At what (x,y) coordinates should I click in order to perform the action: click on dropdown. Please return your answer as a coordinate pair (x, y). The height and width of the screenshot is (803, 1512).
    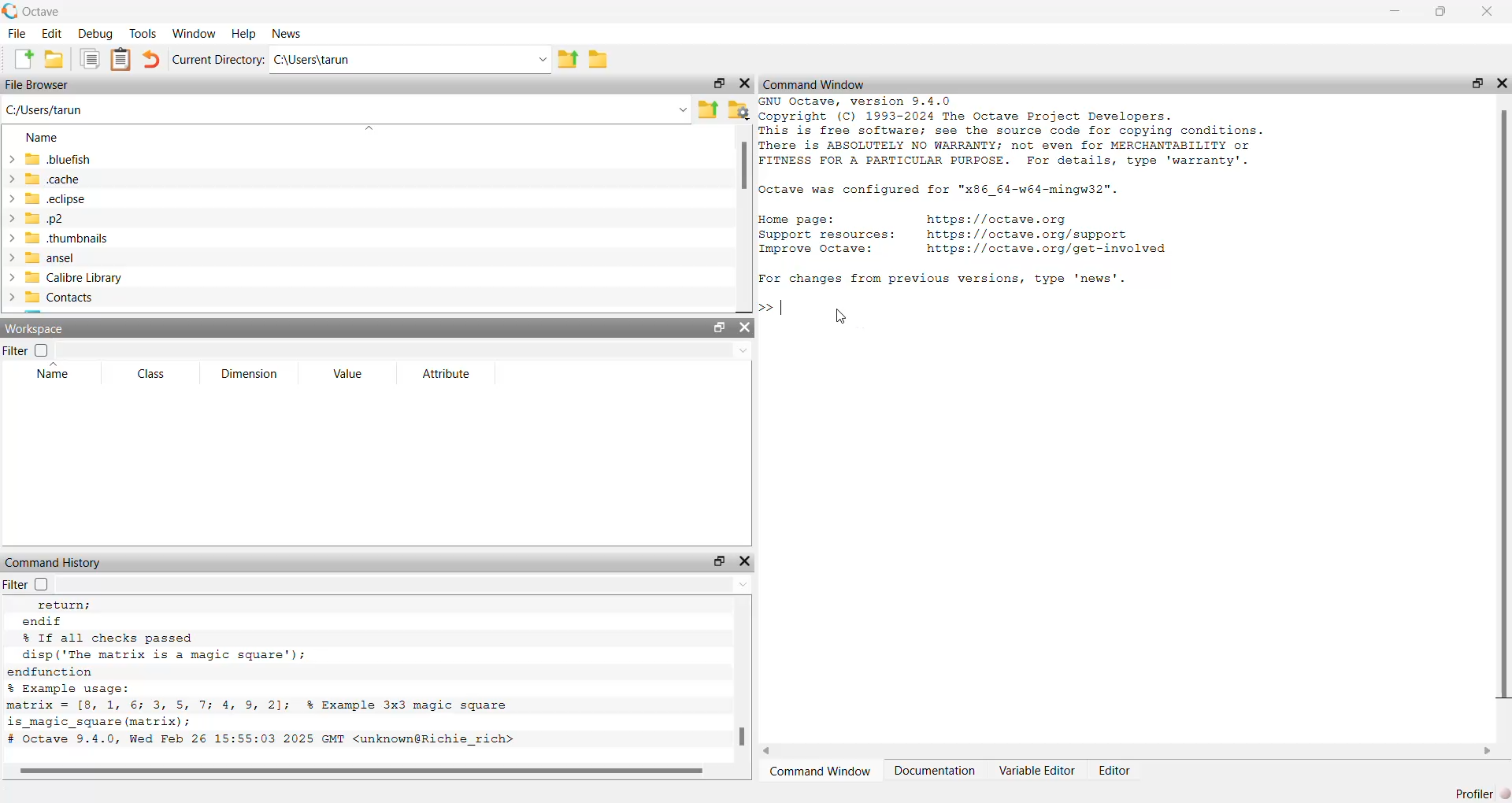
    Looking at the image, I should click on (742, 350).